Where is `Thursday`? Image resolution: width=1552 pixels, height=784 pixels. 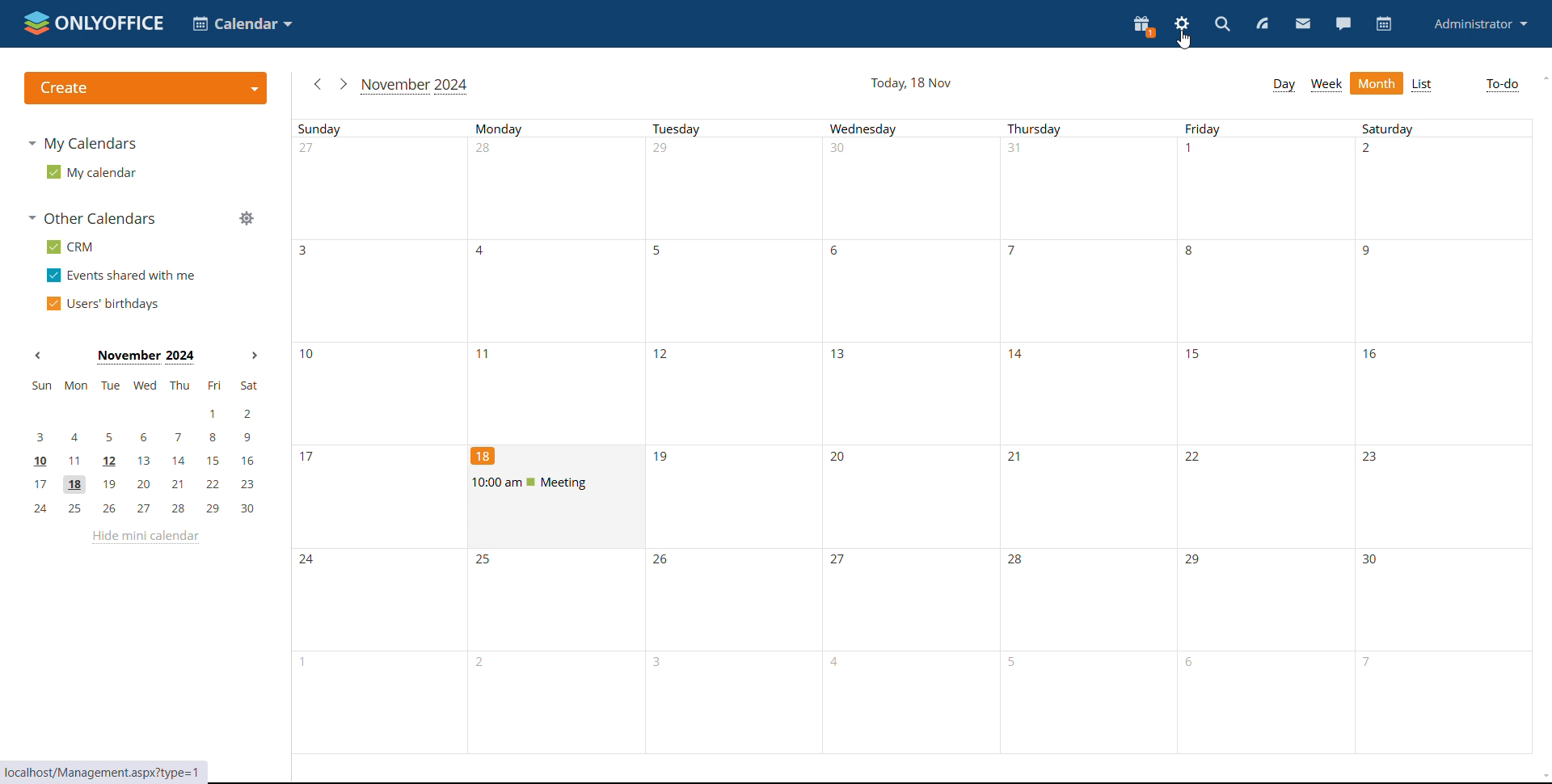
Thursday is located at coordinates (1089, 436).